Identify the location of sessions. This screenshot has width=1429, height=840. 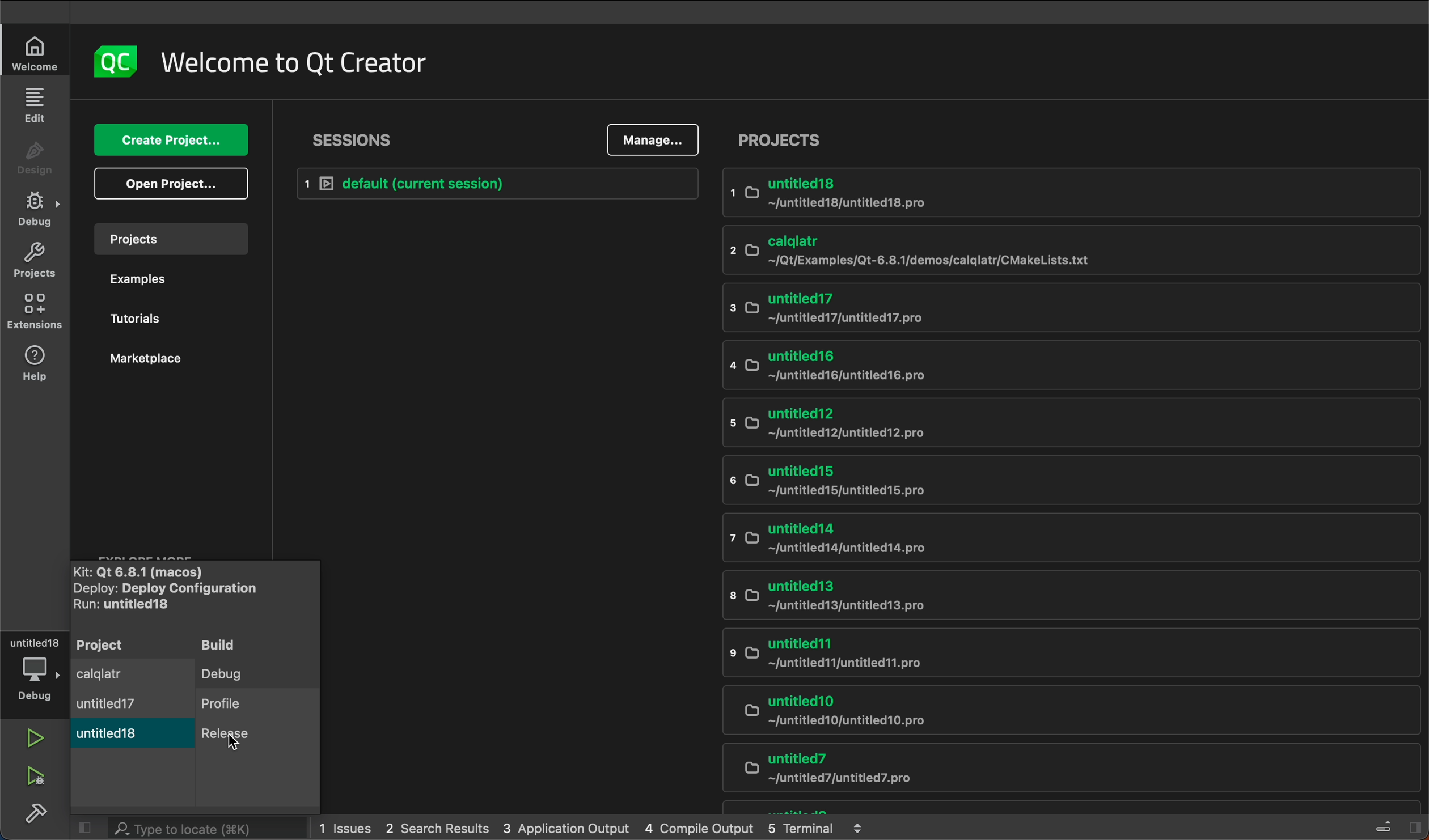
(355, 138).